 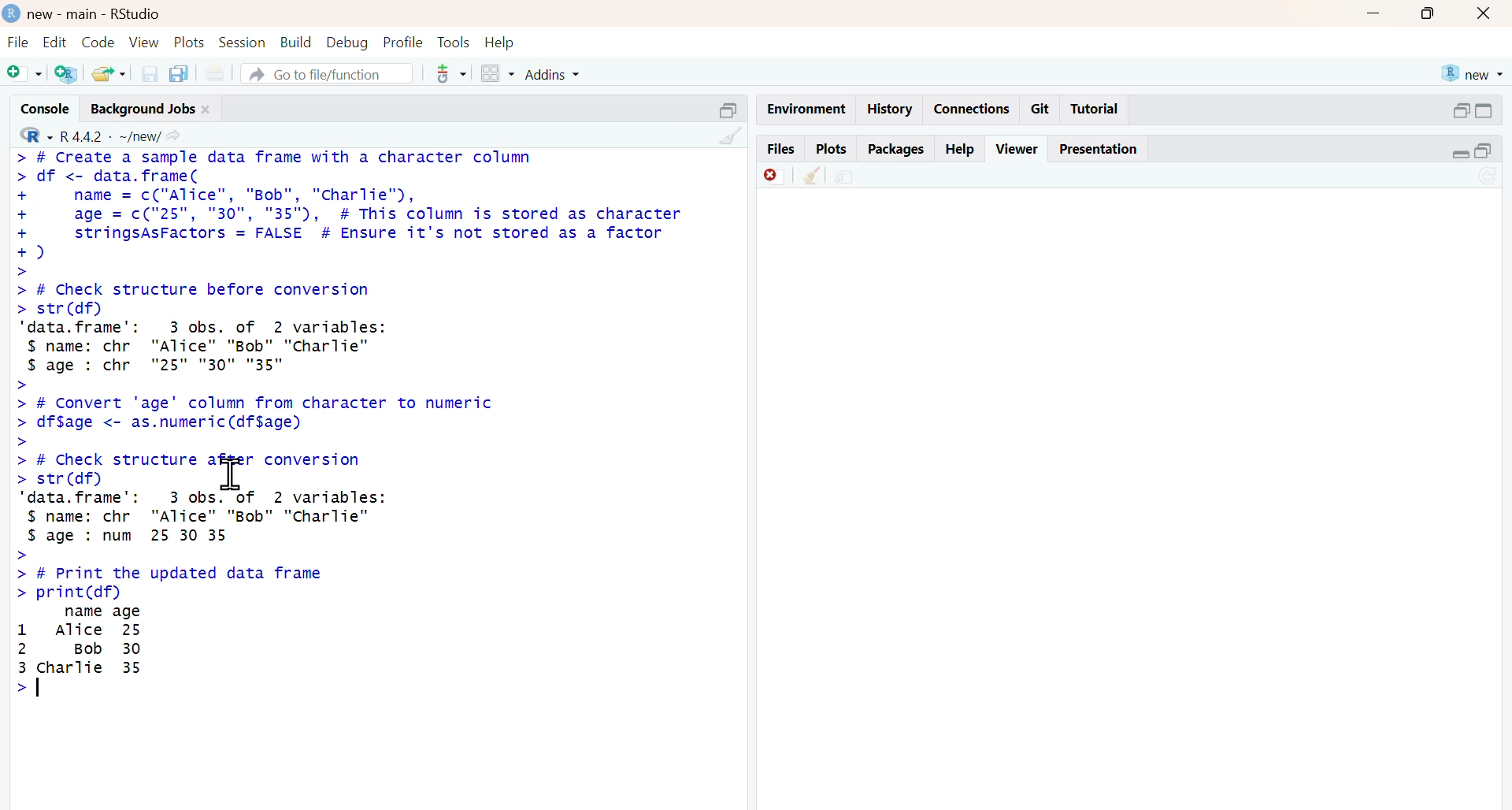 What do you see at coordinates (1483, 151) in the screenshot?
I see `open in separate window` at bounding box center [1483, 151].